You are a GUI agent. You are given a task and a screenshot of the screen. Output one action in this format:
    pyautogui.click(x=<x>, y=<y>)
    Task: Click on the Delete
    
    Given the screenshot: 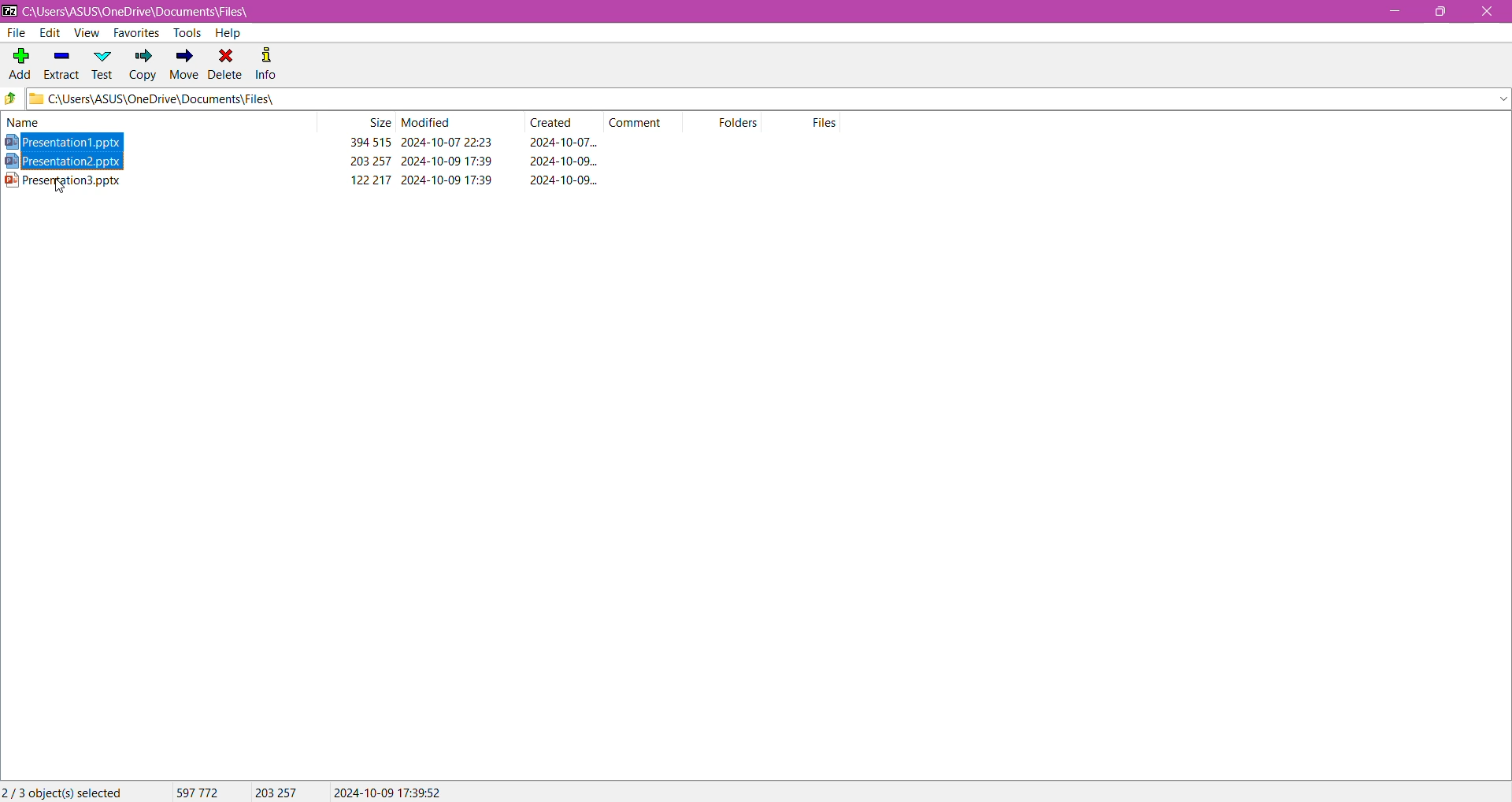 What is the action you would take?
    pyautogui.click(x=226, y=63)
    